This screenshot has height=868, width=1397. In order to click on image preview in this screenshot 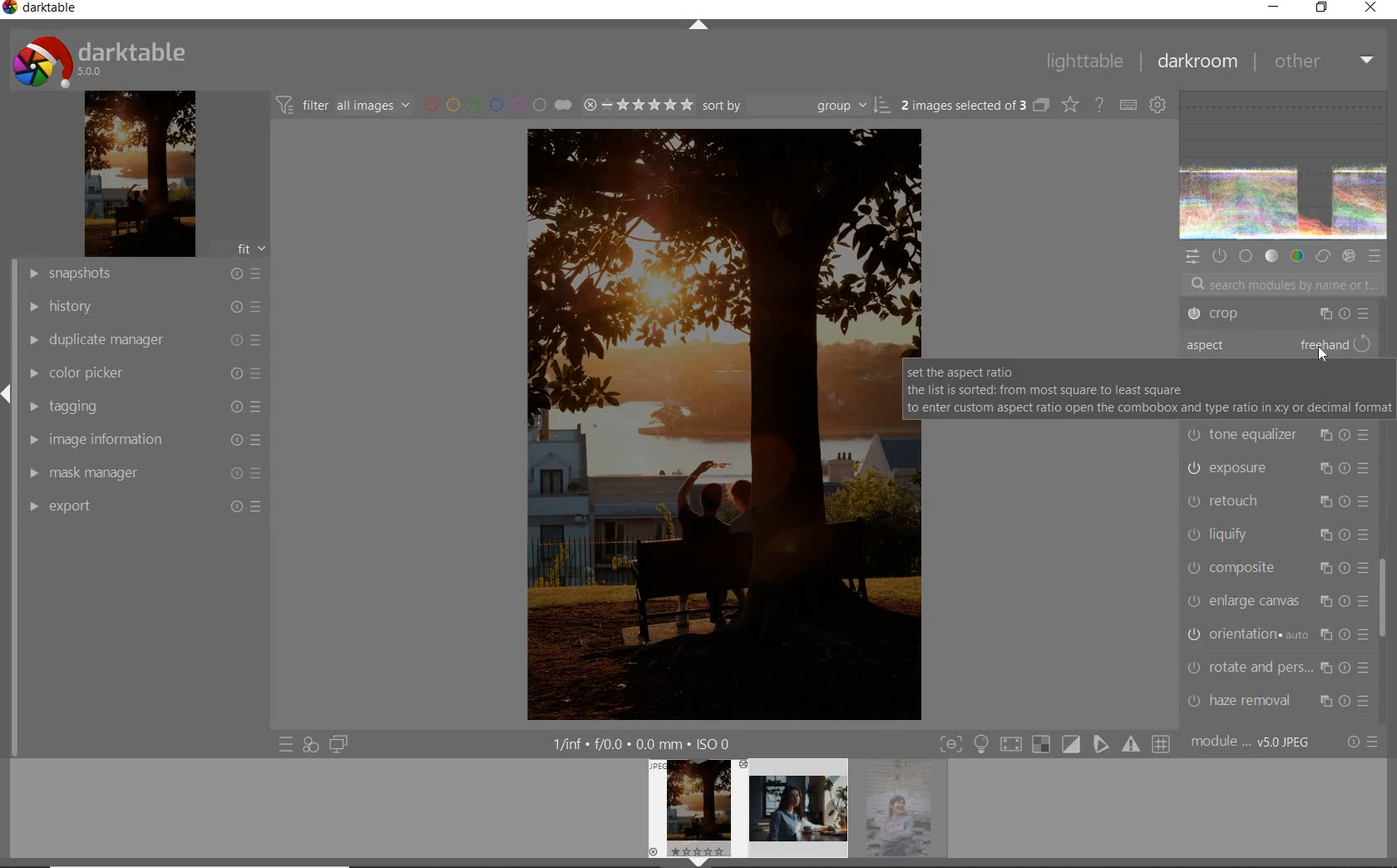, I will do `click(692, 804)`.